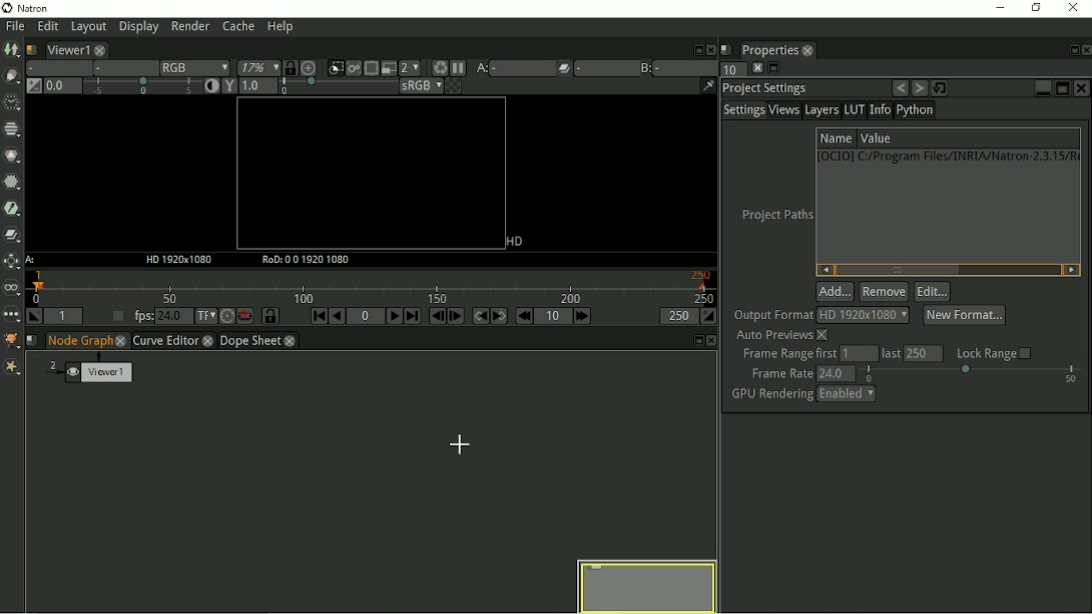 The width and height of the screenshot is (1092, 614). Describe the element at coordinates (303, 87) in the screenshot. I see `Gamma correction` at that location.